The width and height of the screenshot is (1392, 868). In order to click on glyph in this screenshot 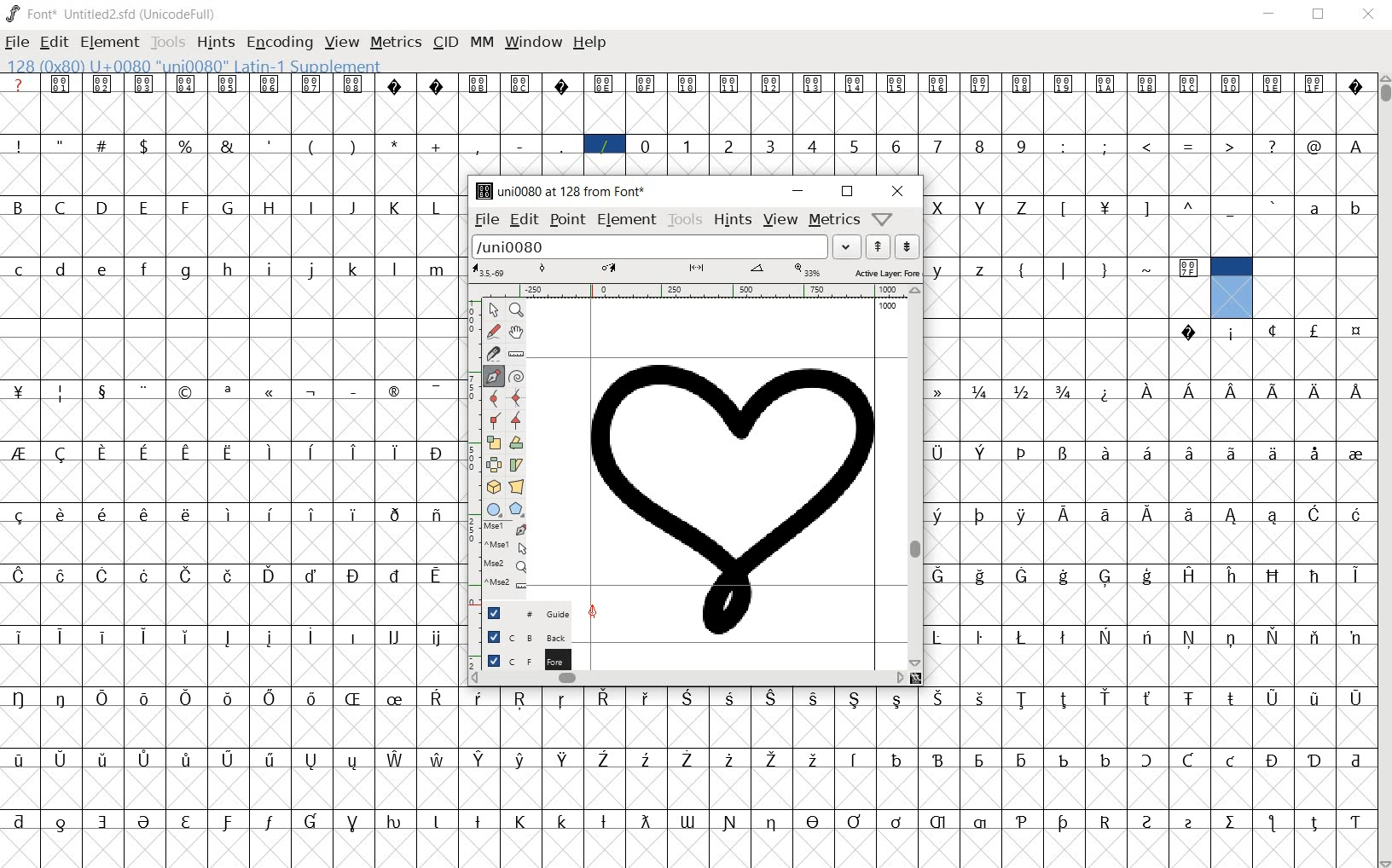, I will do `click(1064, 85)`.